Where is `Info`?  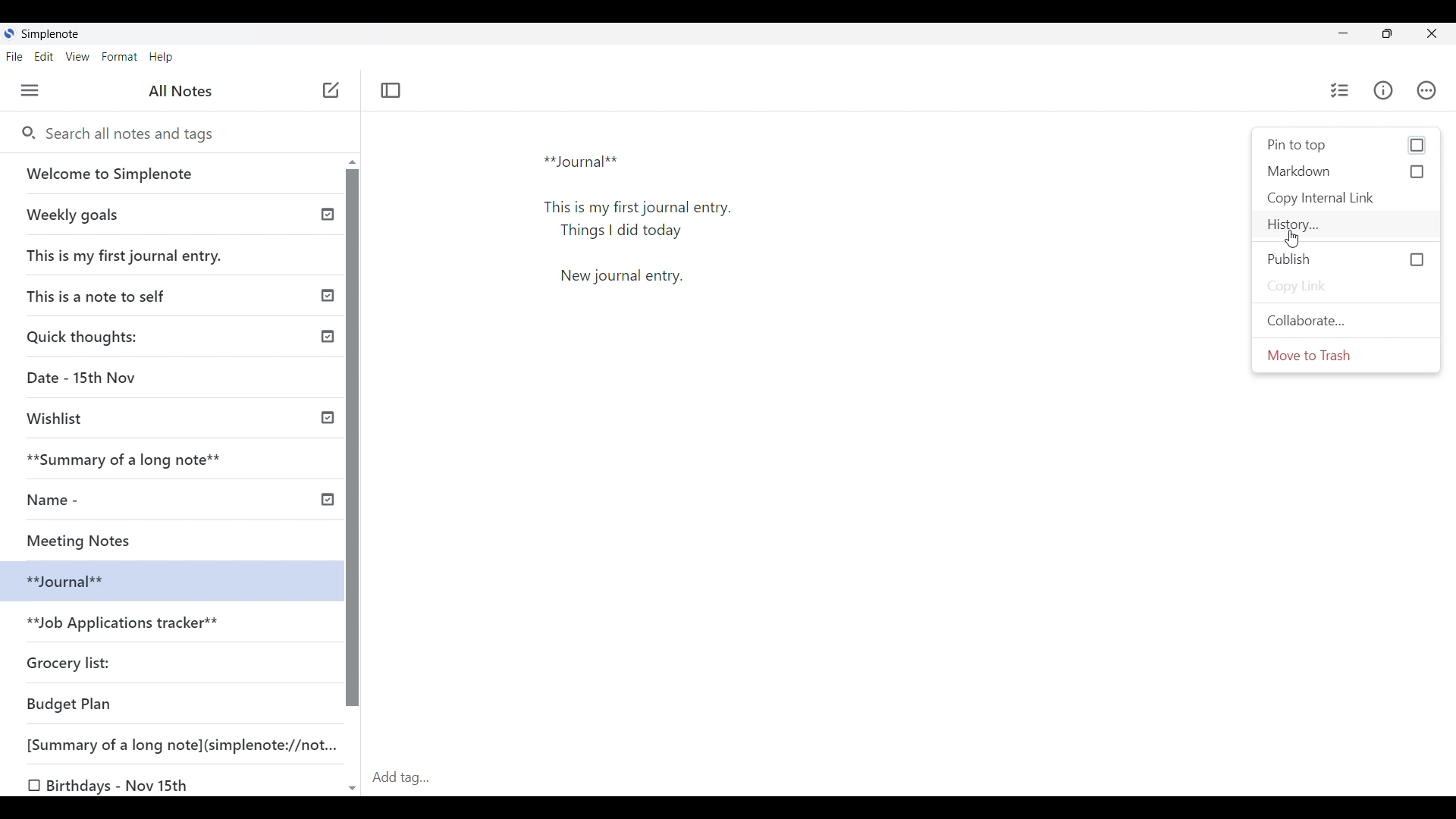 Info is located at coordinates (1382, 89).